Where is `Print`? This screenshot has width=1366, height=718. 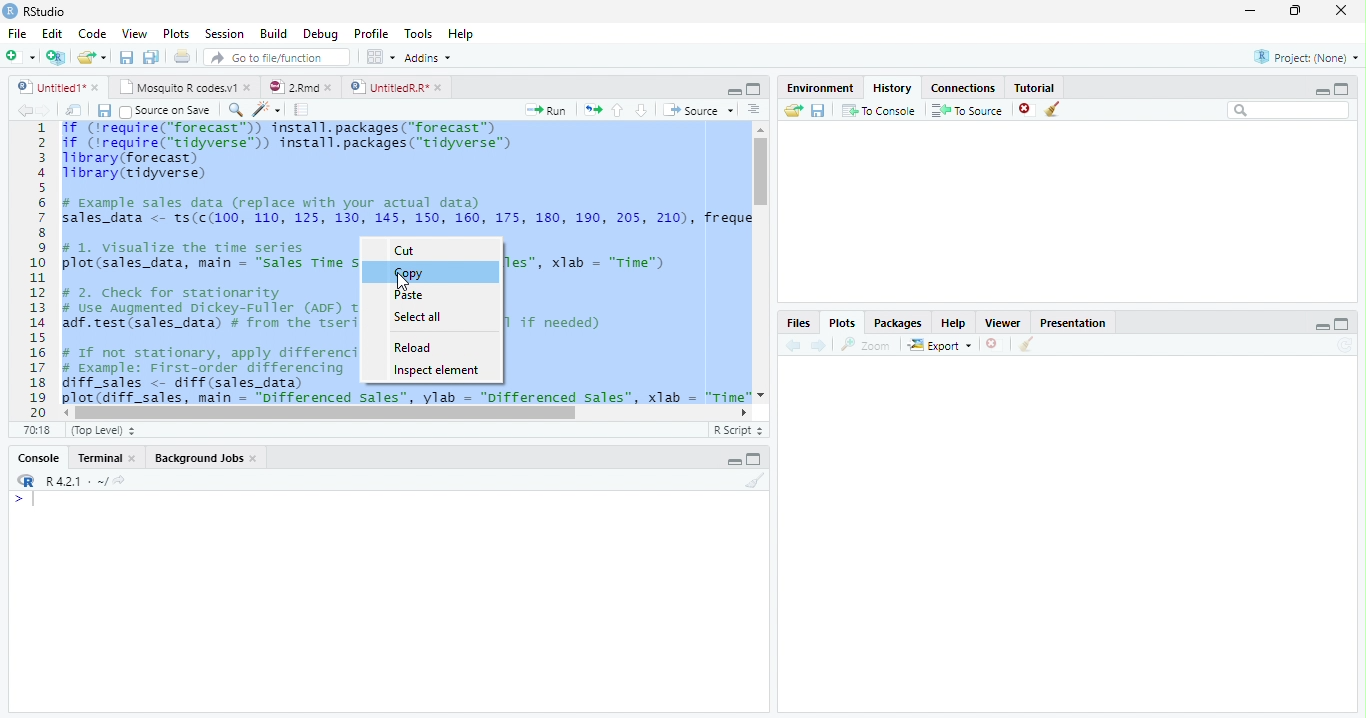
Print is located at coordinates (182, 57).